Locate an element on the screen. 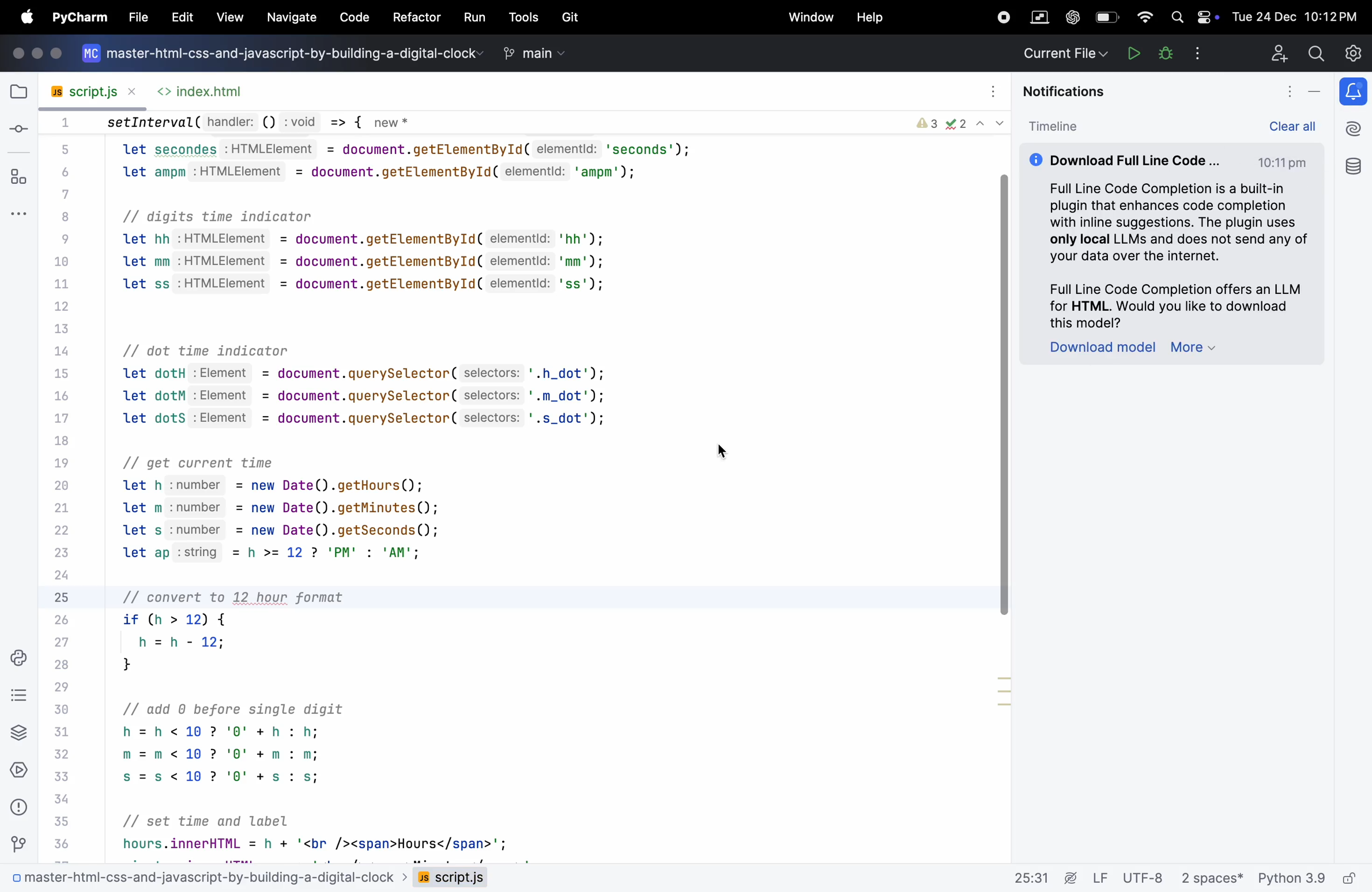  view is located at coordinates (228, 16).